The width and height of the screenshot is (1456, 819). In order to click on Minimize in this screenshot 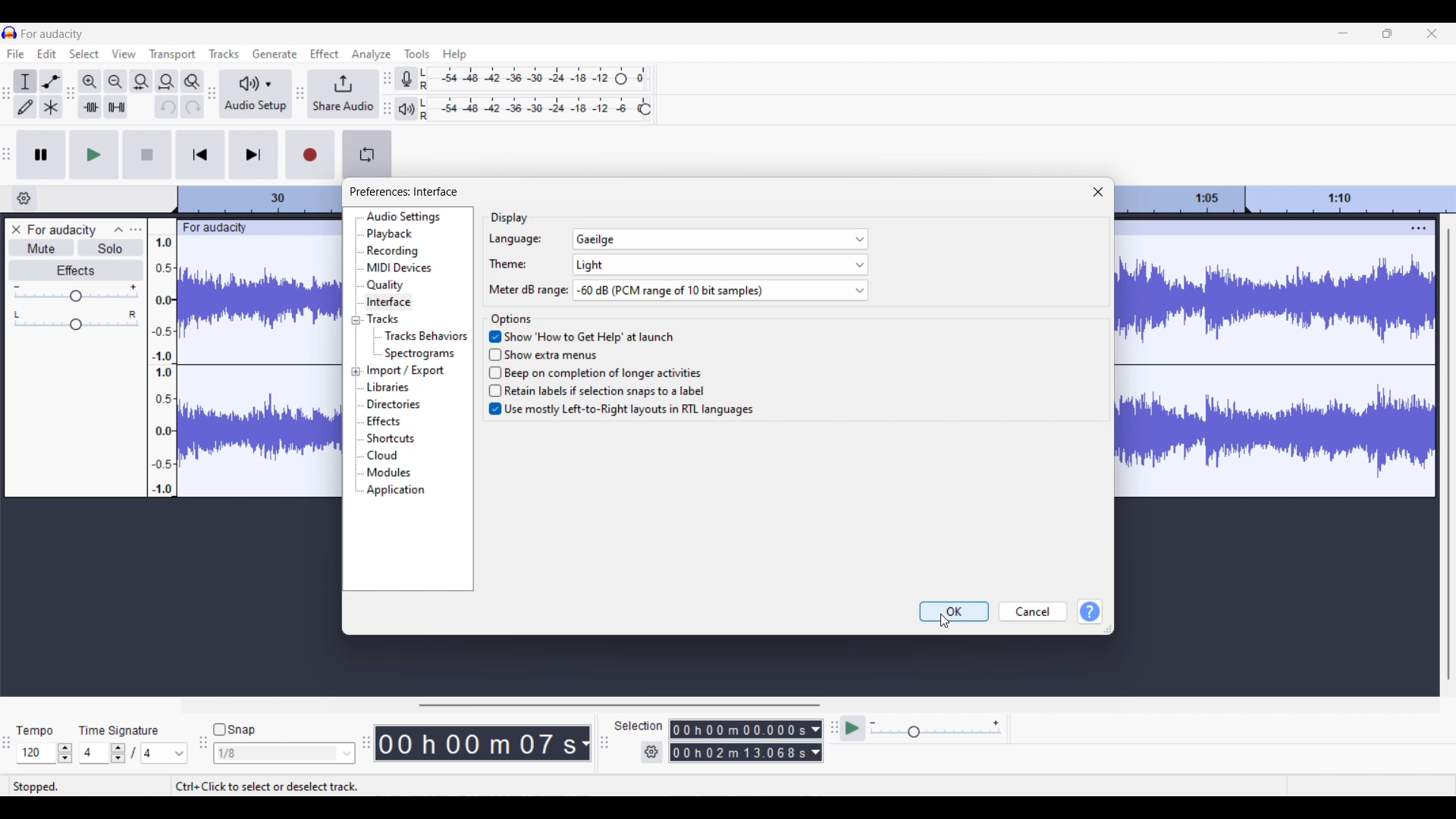, I will do `click(1344, 33)`.